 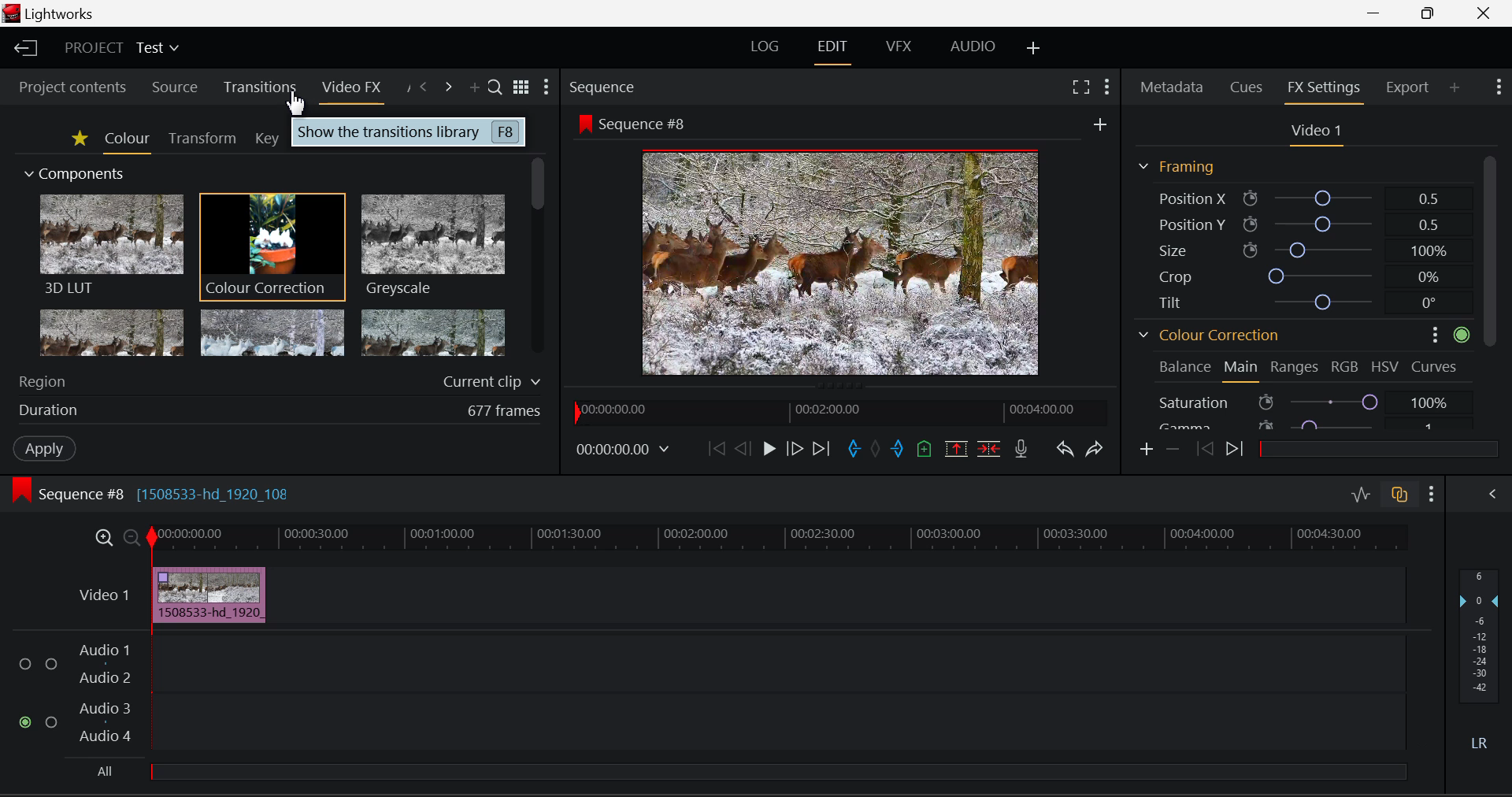 I want to click on Export, so click(x=1408, y=87).